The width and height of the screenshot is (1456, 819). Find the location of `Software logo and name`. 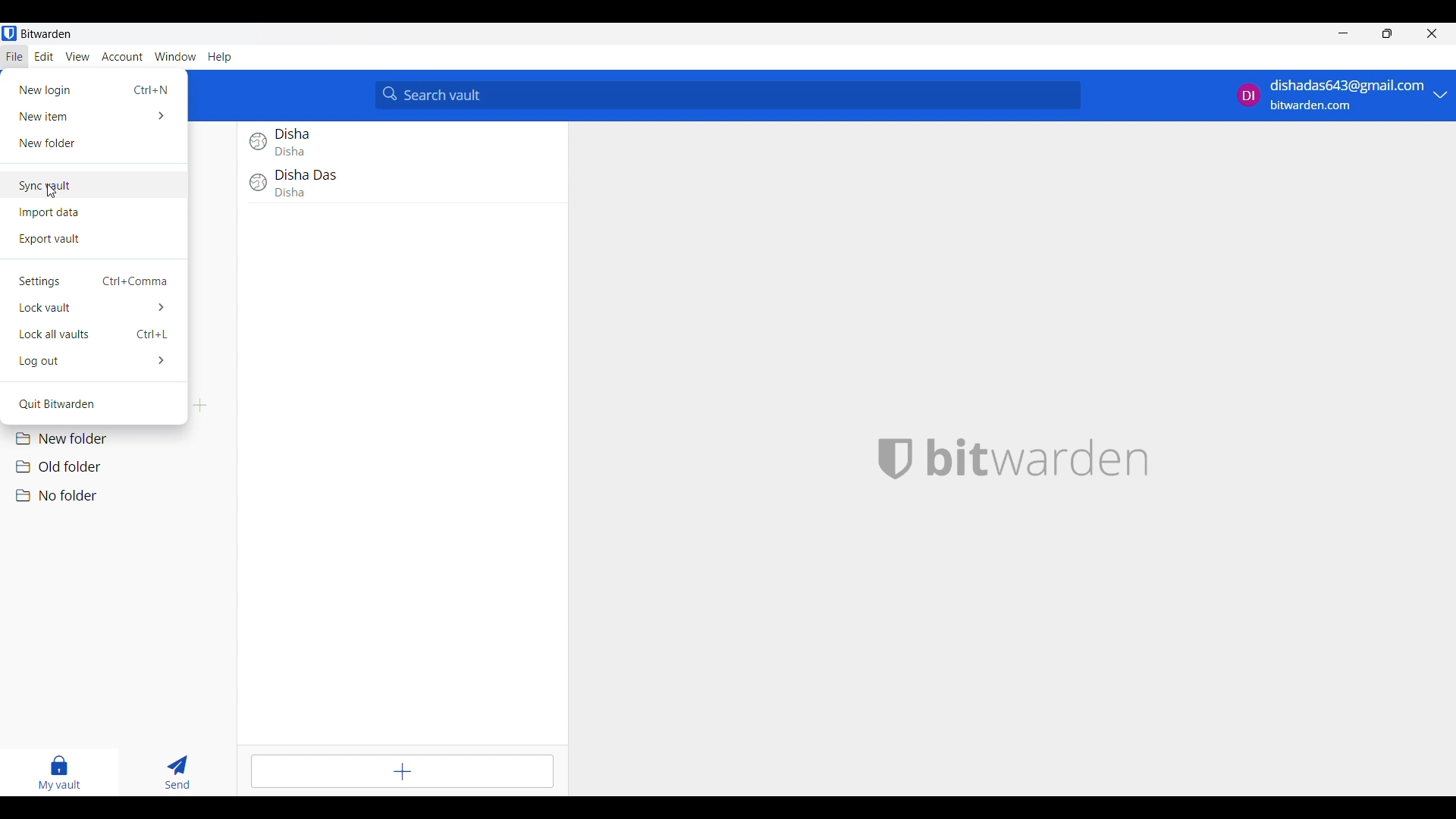

Software logo and name is located at coordinates (1038, 459).